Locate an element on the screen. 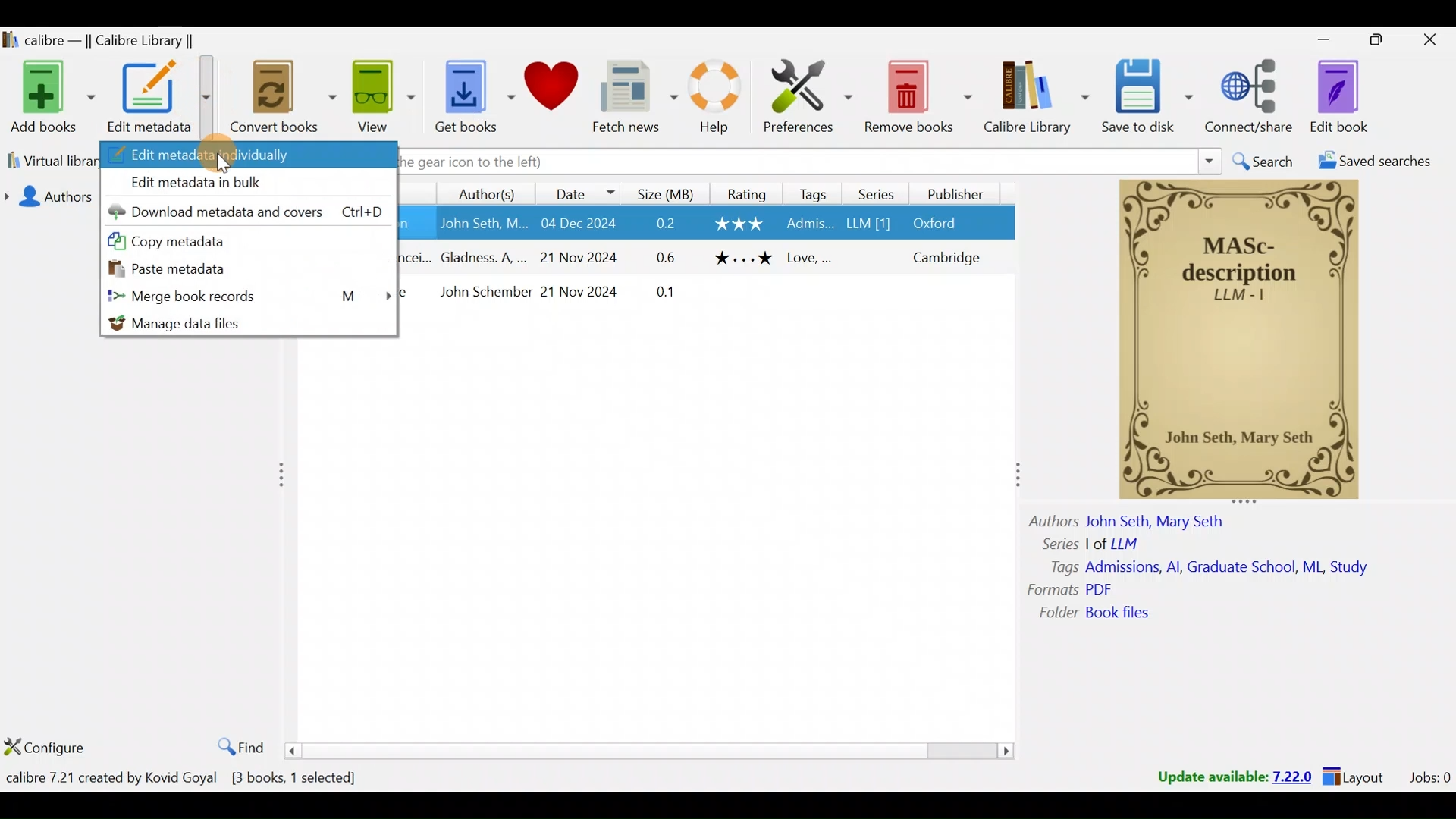   is located at coordinates (587, 291).